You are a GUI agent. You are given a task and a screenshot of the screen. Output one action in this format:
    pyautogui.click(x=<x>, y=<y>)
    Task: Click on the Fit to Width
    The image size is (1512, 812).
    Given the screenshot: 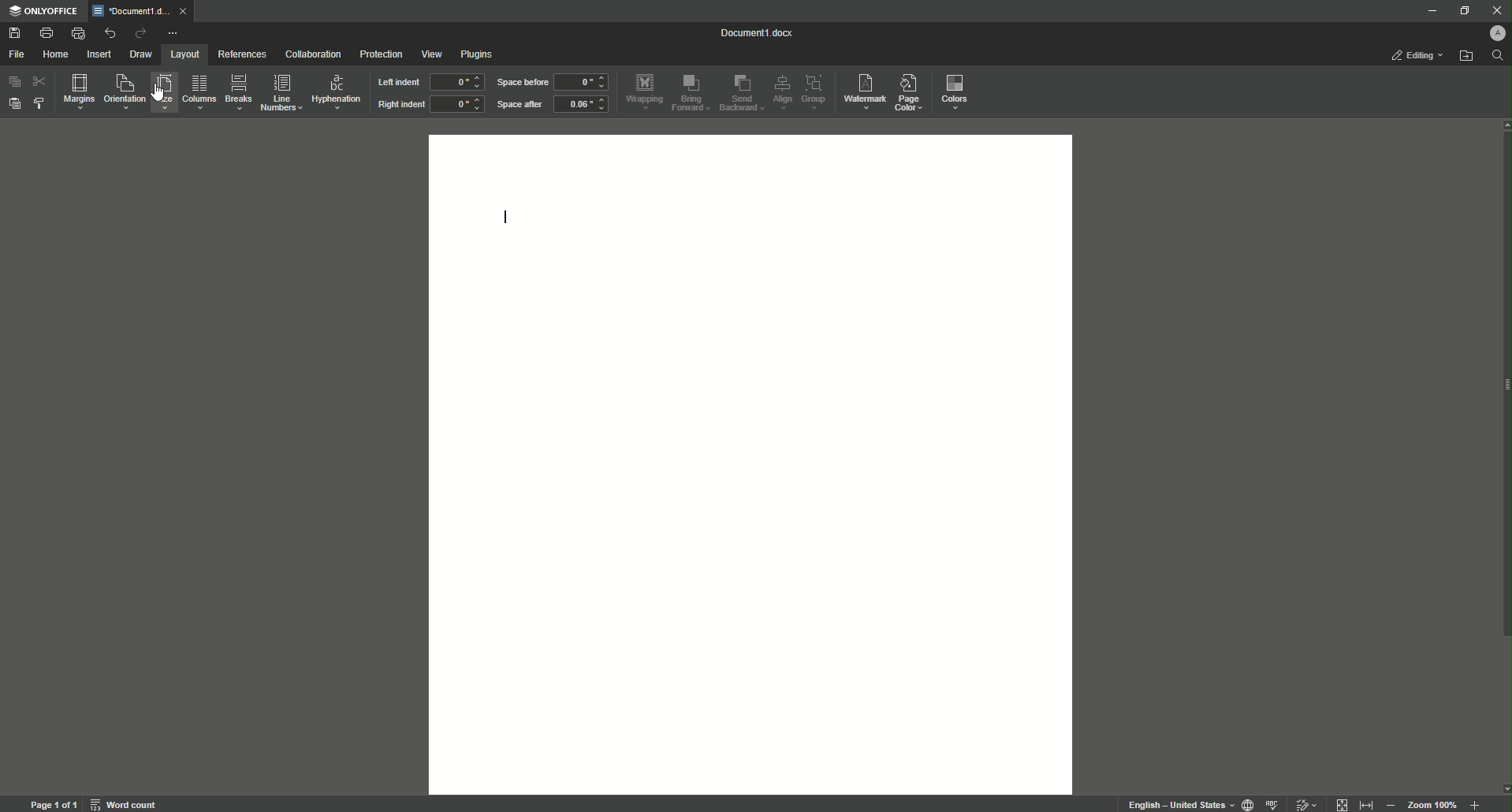 What is the action you would take?
    pyautogui.click(x=1343, y=803)
    